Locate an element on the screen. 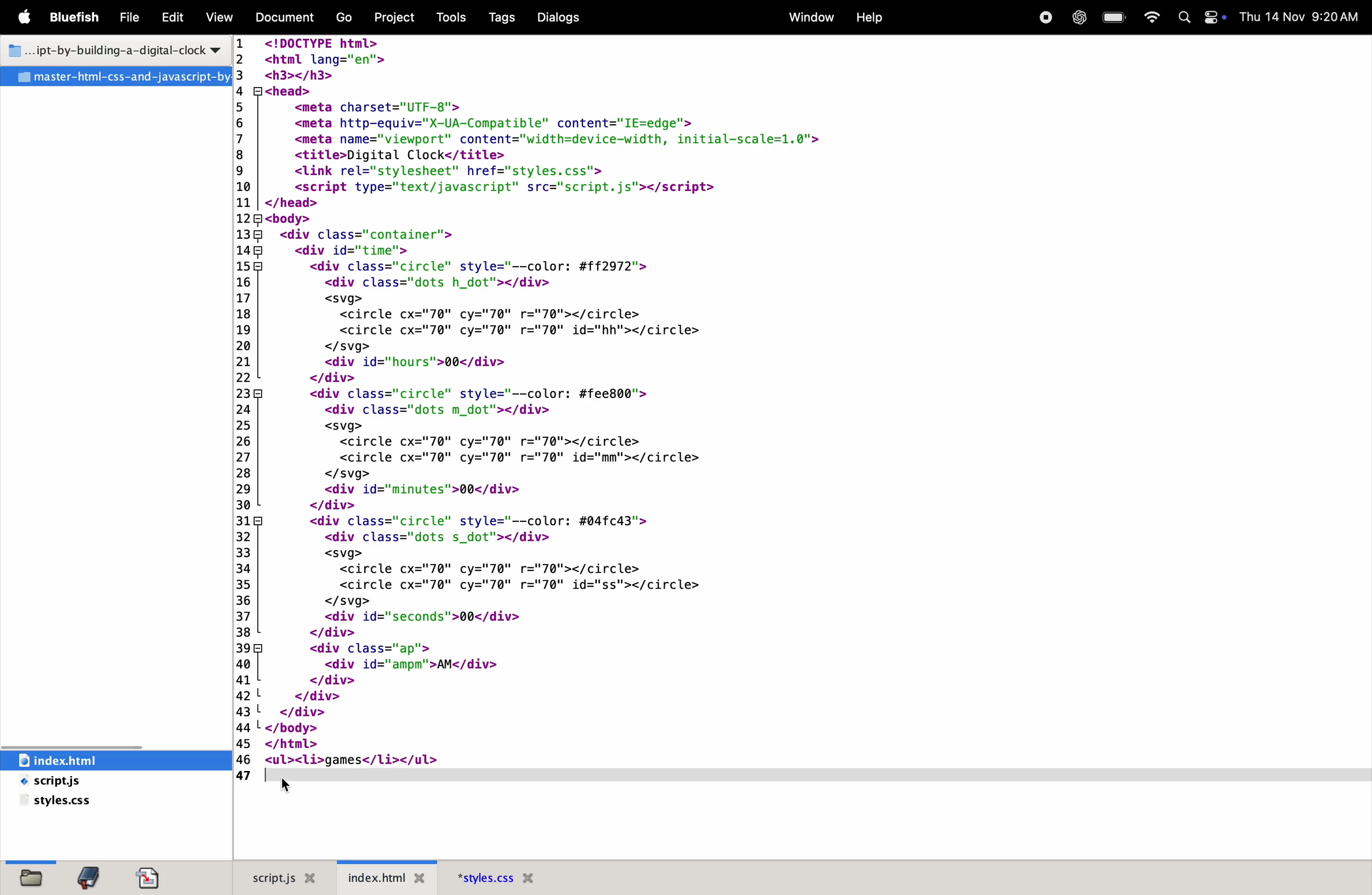 Image resolution: width=1372 pixels, height=895 pixels.  is located at coordinates (349, 761).